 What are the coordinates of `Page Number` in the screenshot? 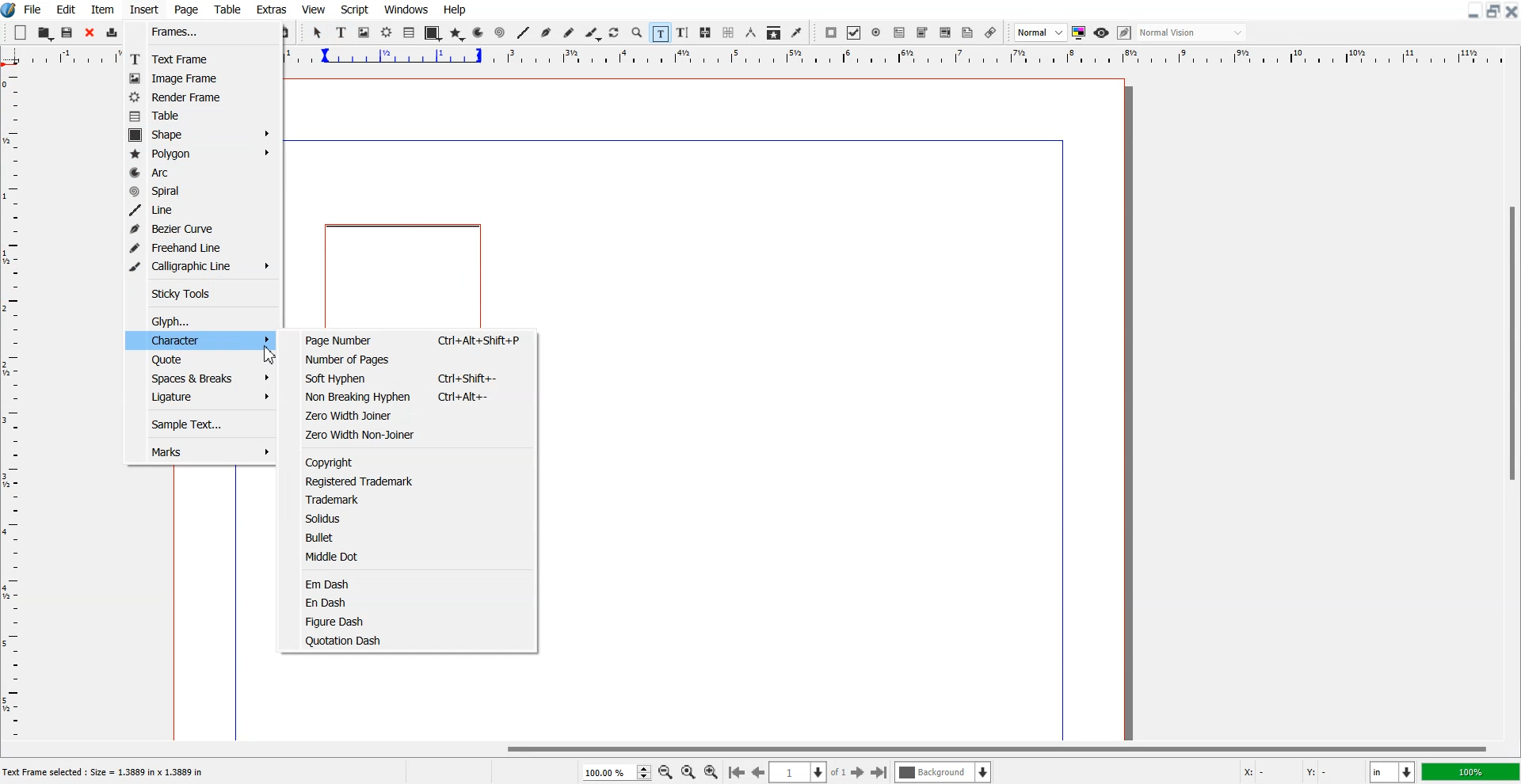 It's located at (414, 339).